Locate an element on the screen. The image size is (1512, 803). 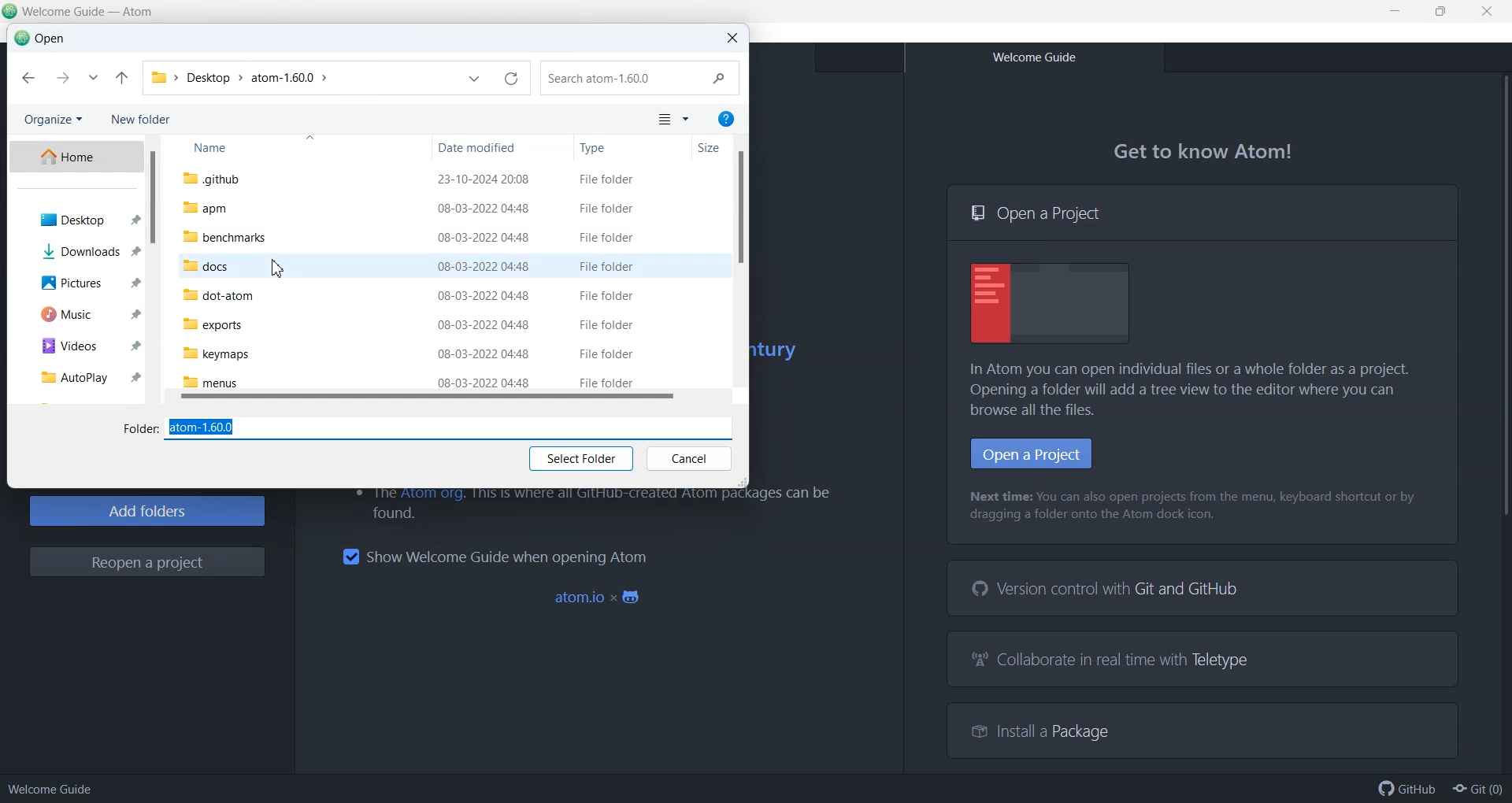
File Folder is located at coordinates (608, 209).